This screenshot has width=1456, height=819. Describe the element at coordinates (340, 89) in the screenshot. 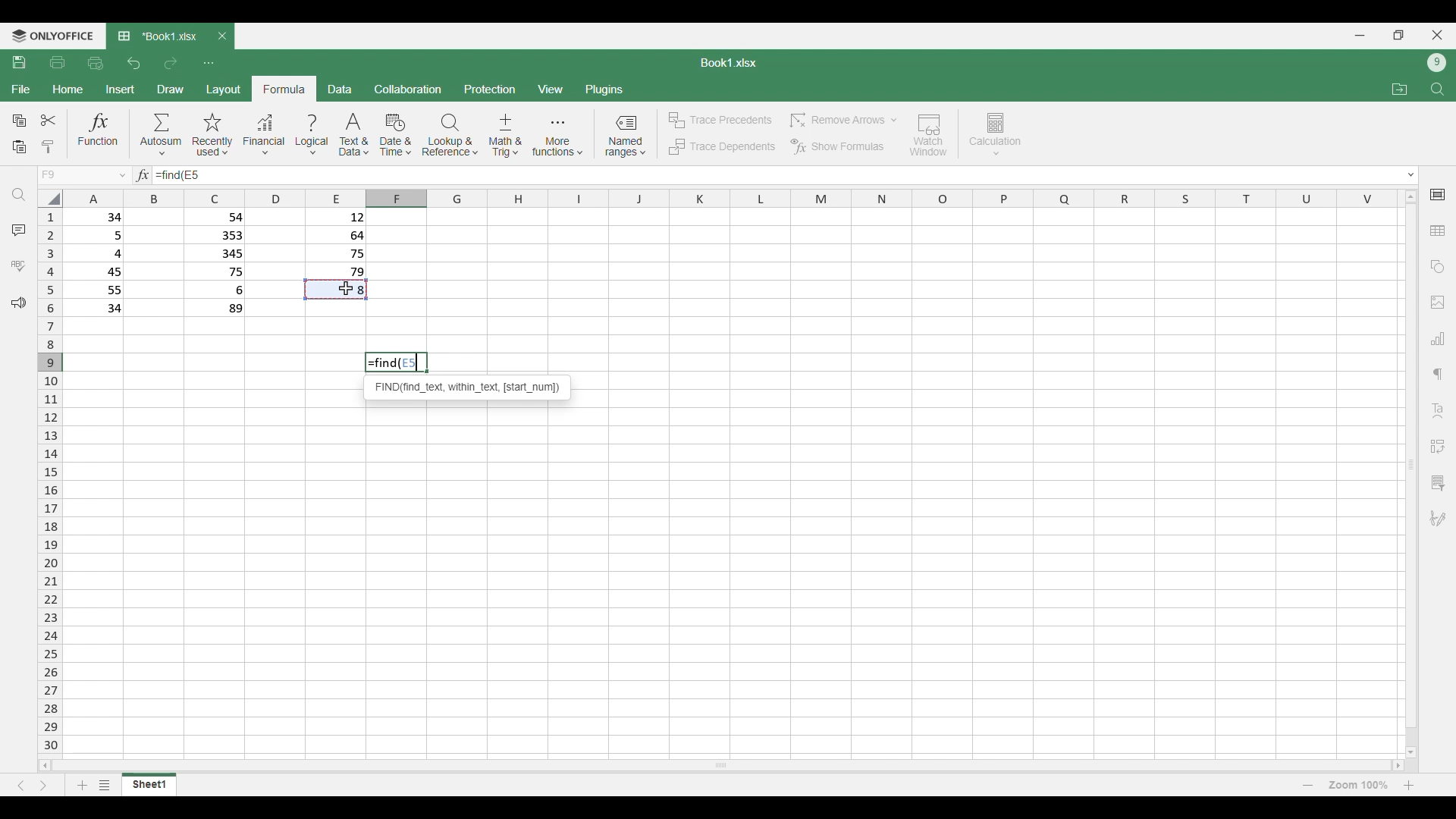

I see `Data menu` at that location.